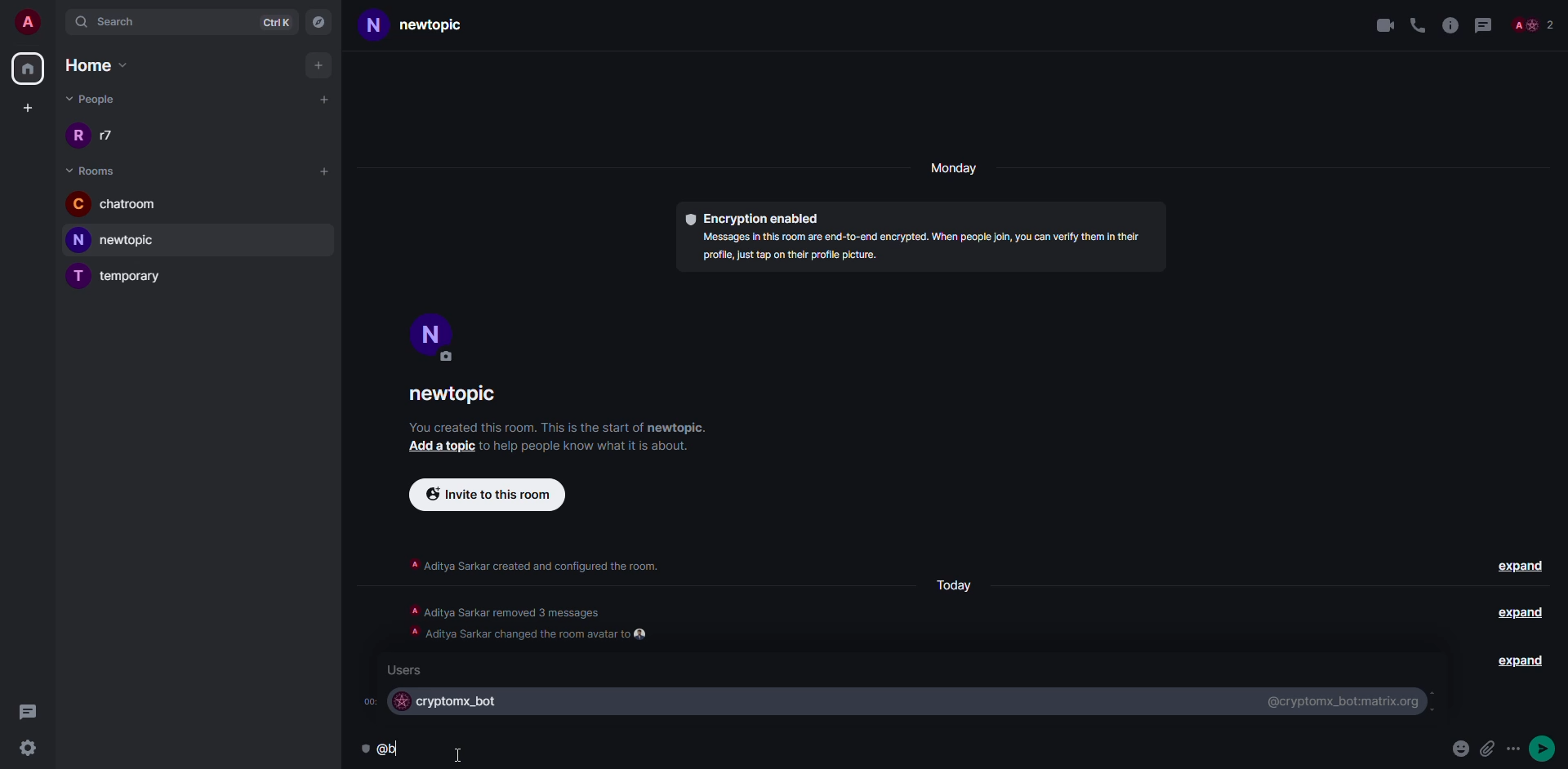 This screenshot has height=769, width=1568. Describe the element at coordinates (121, 240) in the screenshot. I see `newtopic` at that location.